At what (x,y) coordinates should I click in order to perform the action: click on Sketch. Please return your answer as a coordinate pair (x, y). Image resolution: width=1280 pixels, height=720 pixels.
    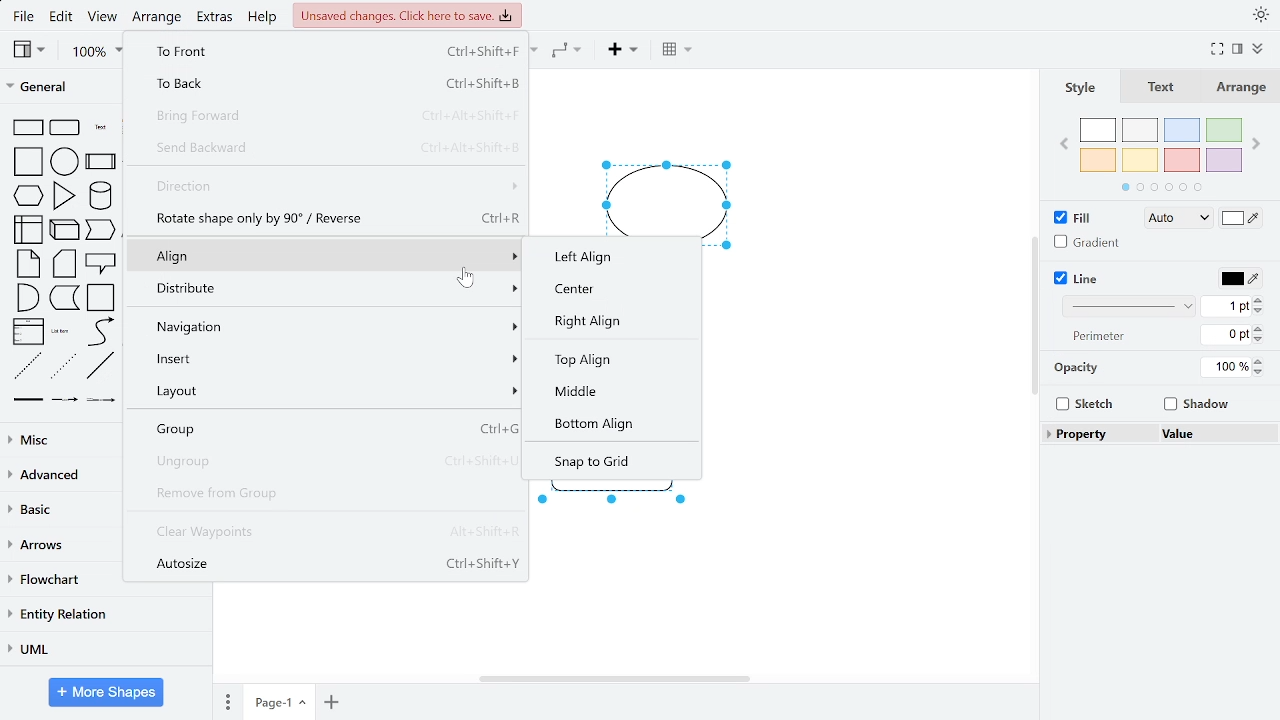
    Looking at the image, I should click on (1087, 404).